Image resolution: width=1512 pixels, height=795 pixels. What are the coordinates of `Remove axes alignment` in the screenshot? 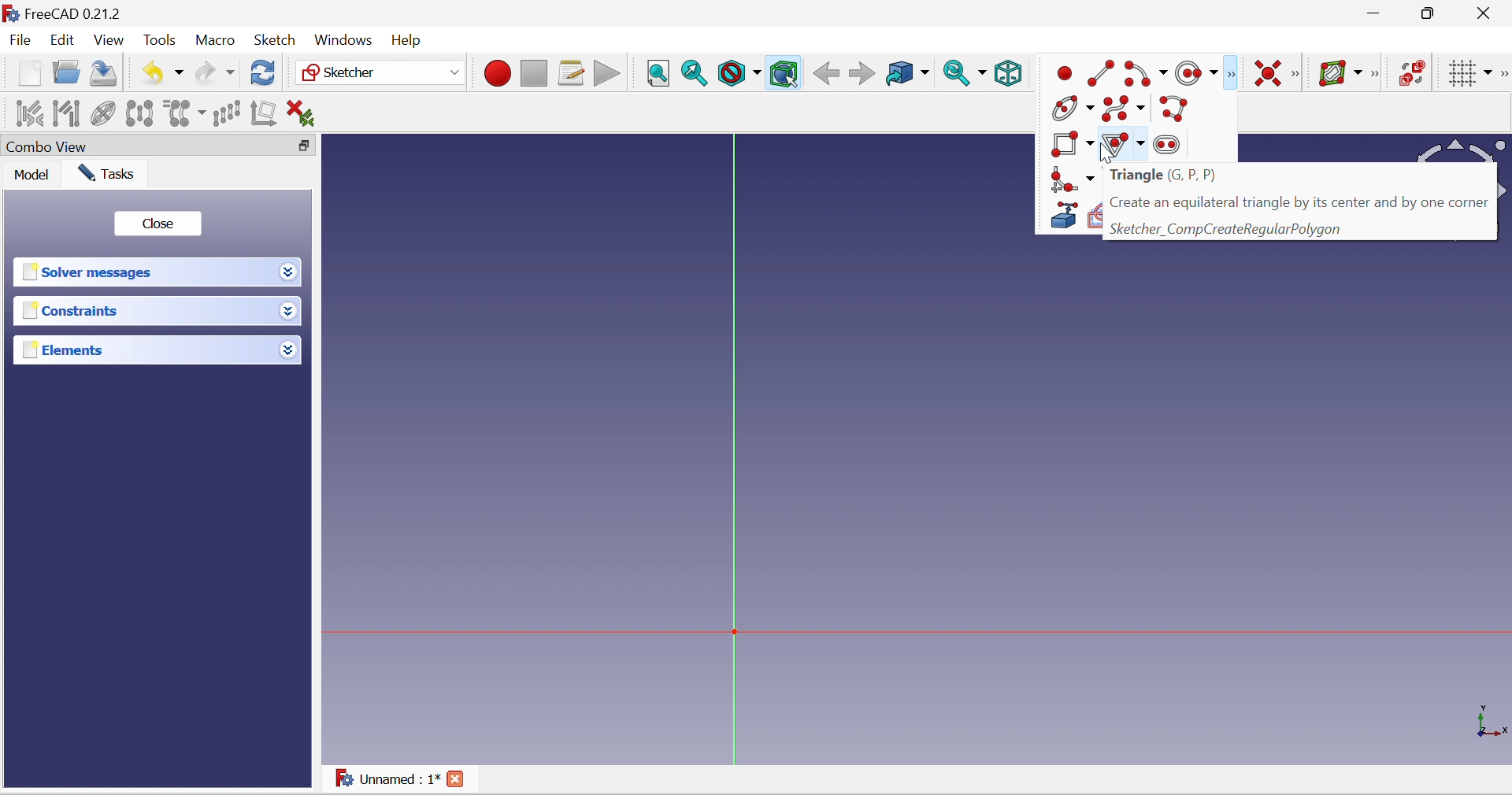 It's located at (264, 112).